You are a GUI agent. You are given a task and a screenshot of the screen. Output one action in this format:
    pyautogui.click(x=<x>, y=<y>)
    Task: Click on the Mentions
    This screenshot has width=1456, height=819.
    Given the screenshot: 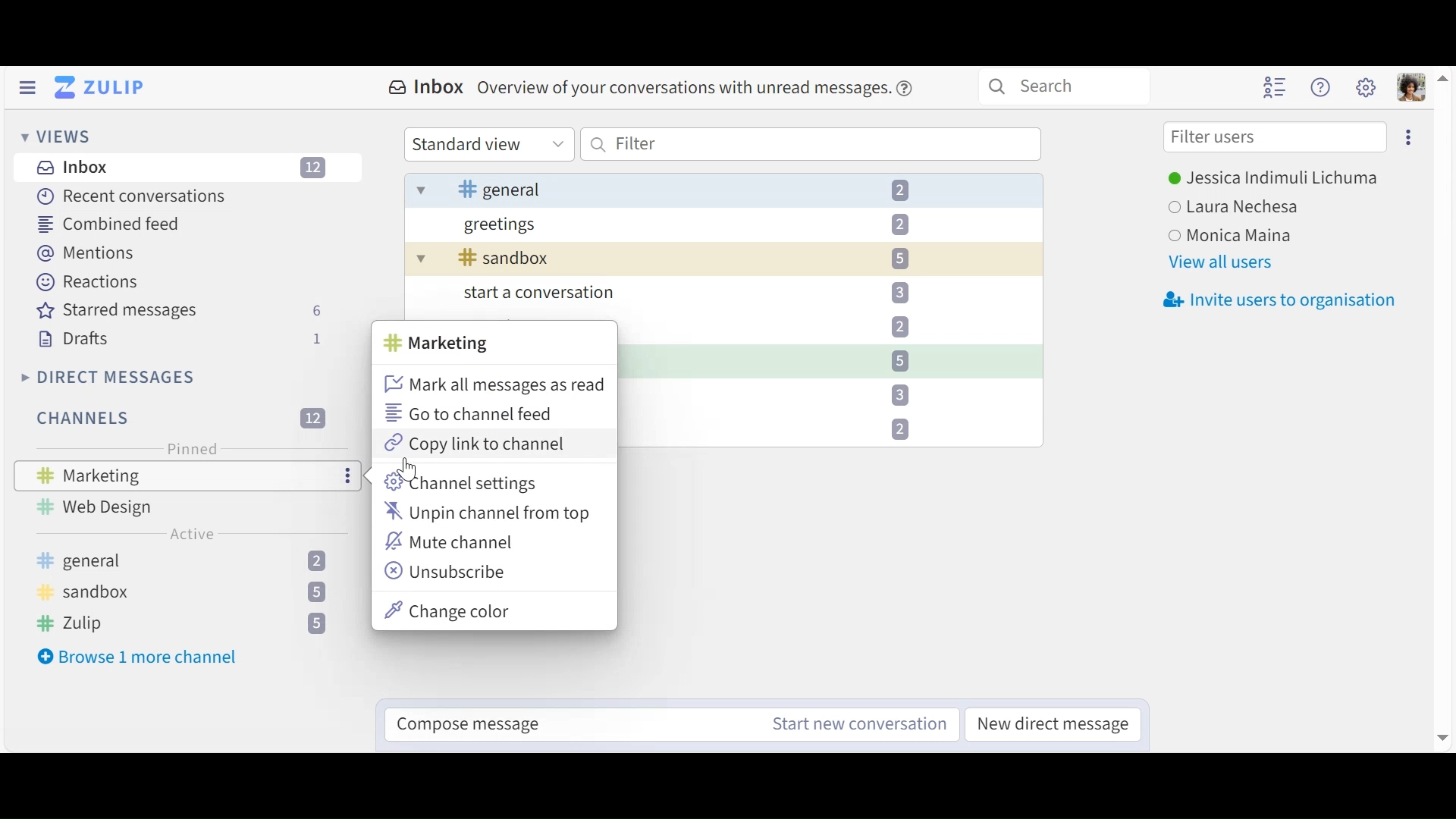 What is the action you would take?
    pyautogui.click(x=83, y=252)
    